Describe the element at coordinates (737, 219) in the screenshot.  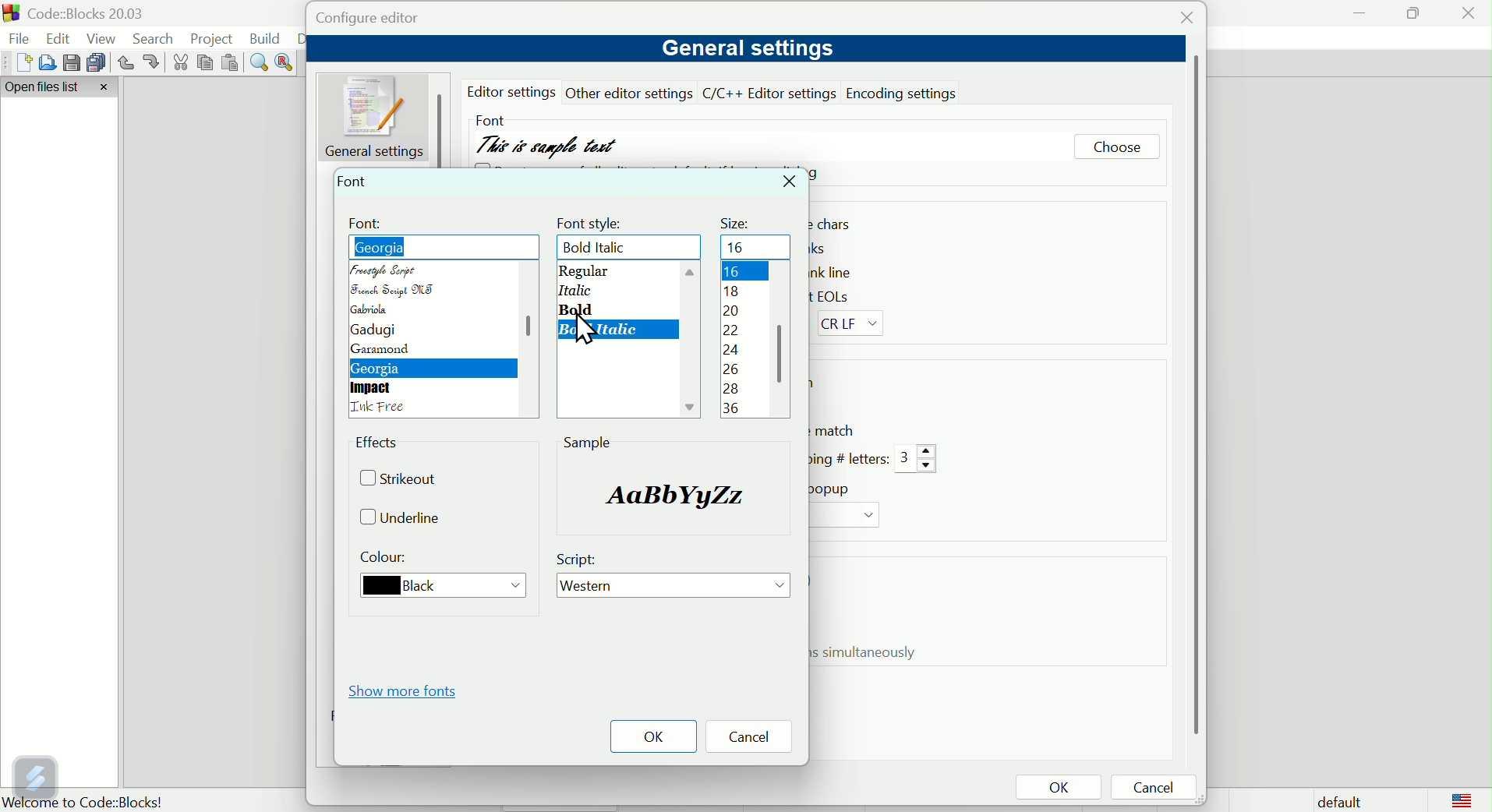
I see `Size` at that location.